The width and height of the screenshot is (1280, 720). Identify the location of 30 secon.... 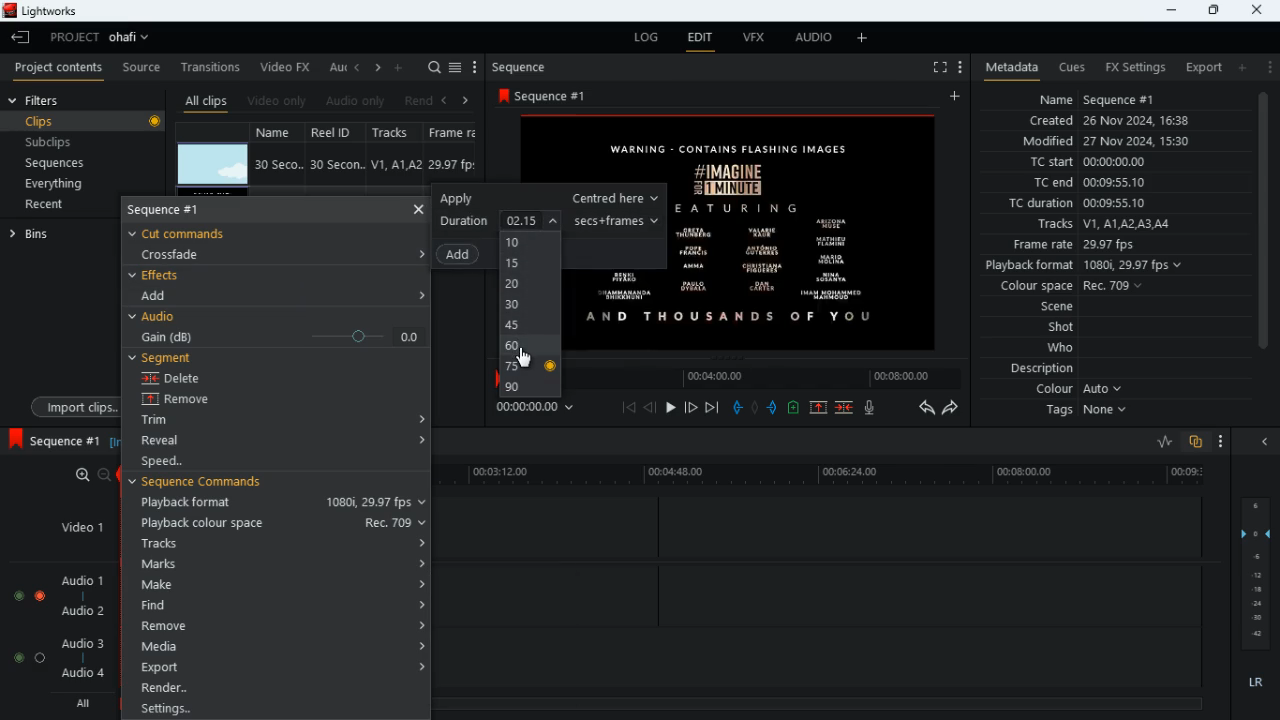
(334, 165).